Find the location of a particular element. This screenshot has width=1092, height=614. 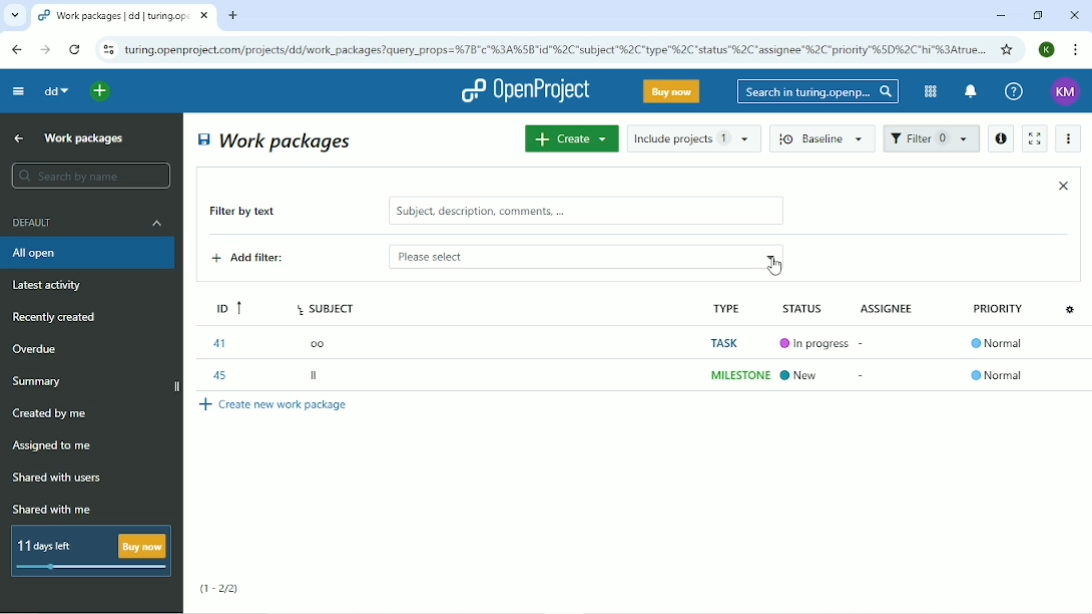

Up is located at coordinates (16, 139).